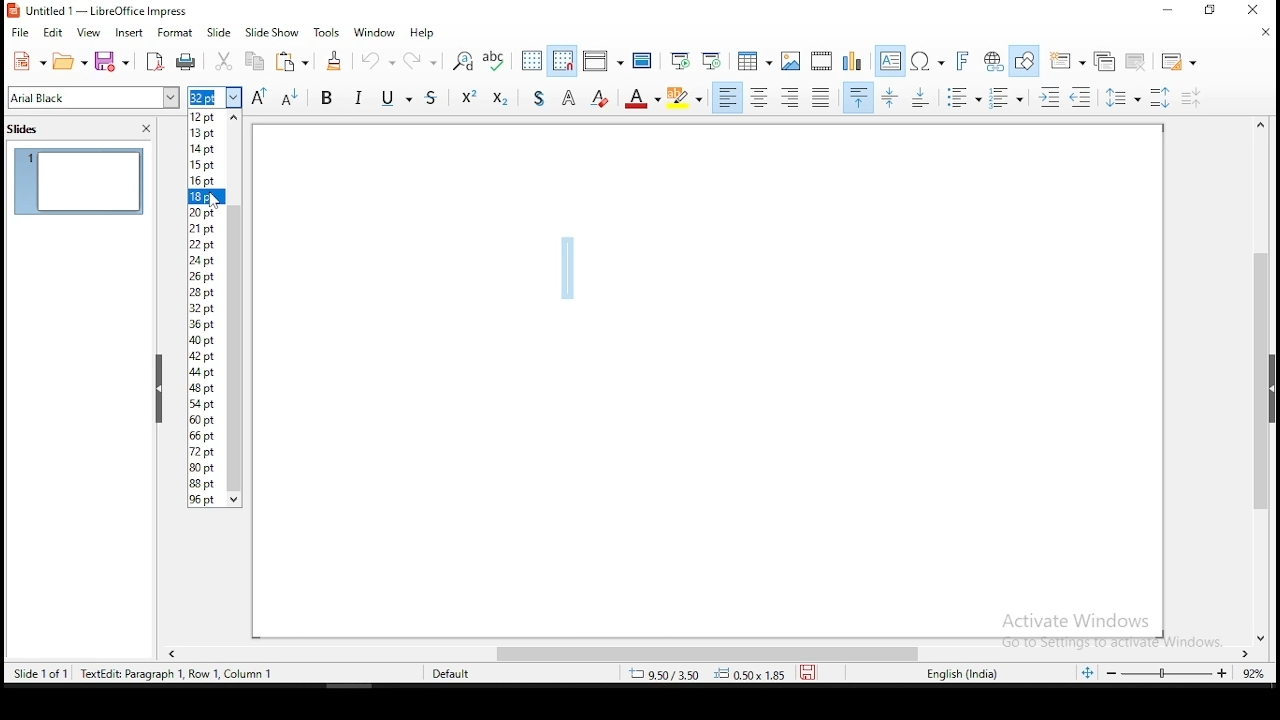  I want to click on Highlight Color, so click(685, 98).